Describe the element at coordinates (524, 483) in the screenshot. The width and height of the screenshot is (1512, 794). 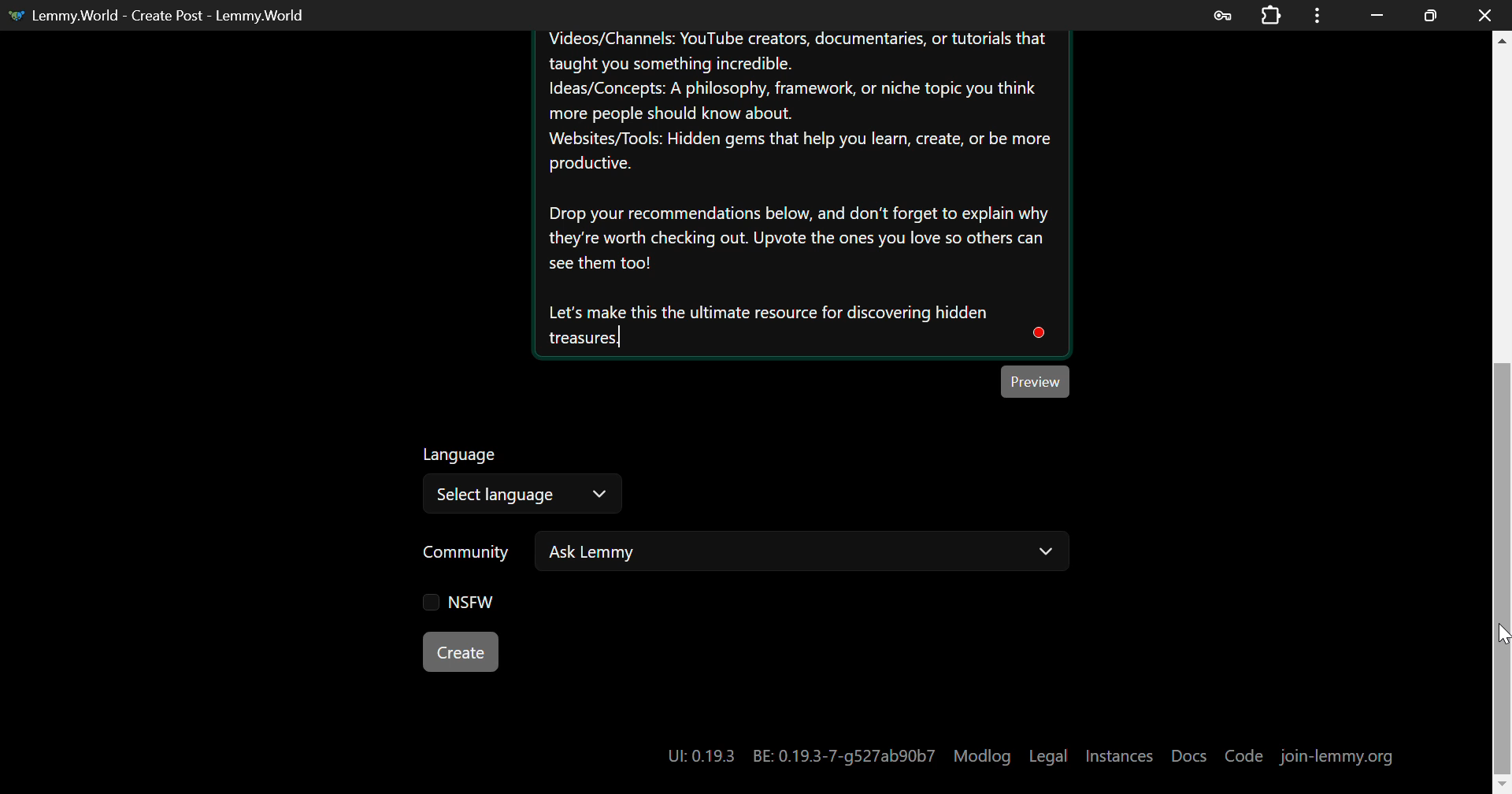
I see `Select Language` at that location.